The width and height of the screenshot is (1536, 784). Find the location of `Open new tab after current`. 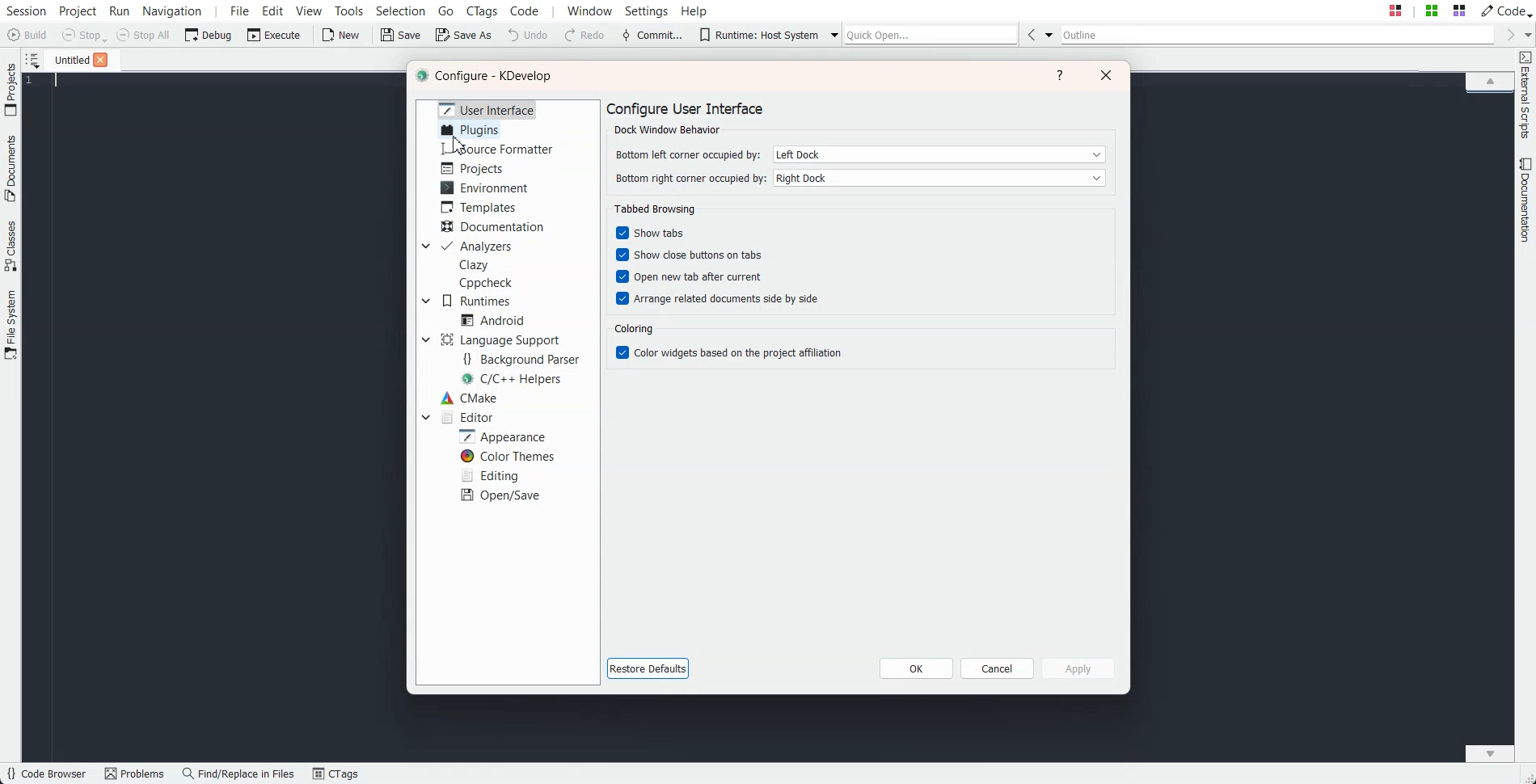

Open new tab after current is located at coordinates (693, 276).